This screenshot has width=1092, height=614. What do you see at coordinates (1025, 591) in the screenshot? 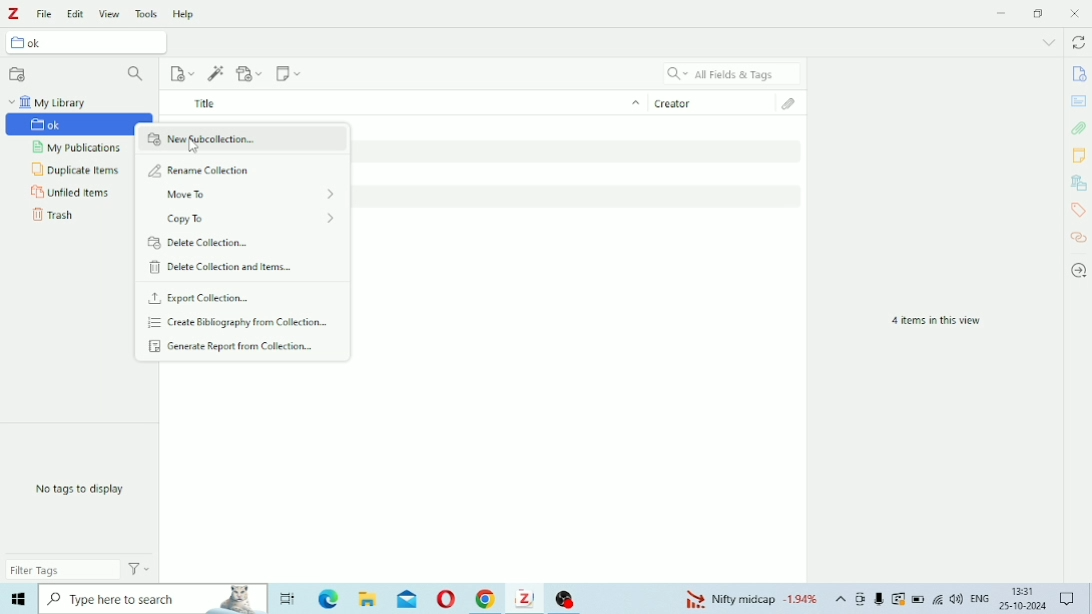
I see `13:31` at bounding box center [1025, 591].